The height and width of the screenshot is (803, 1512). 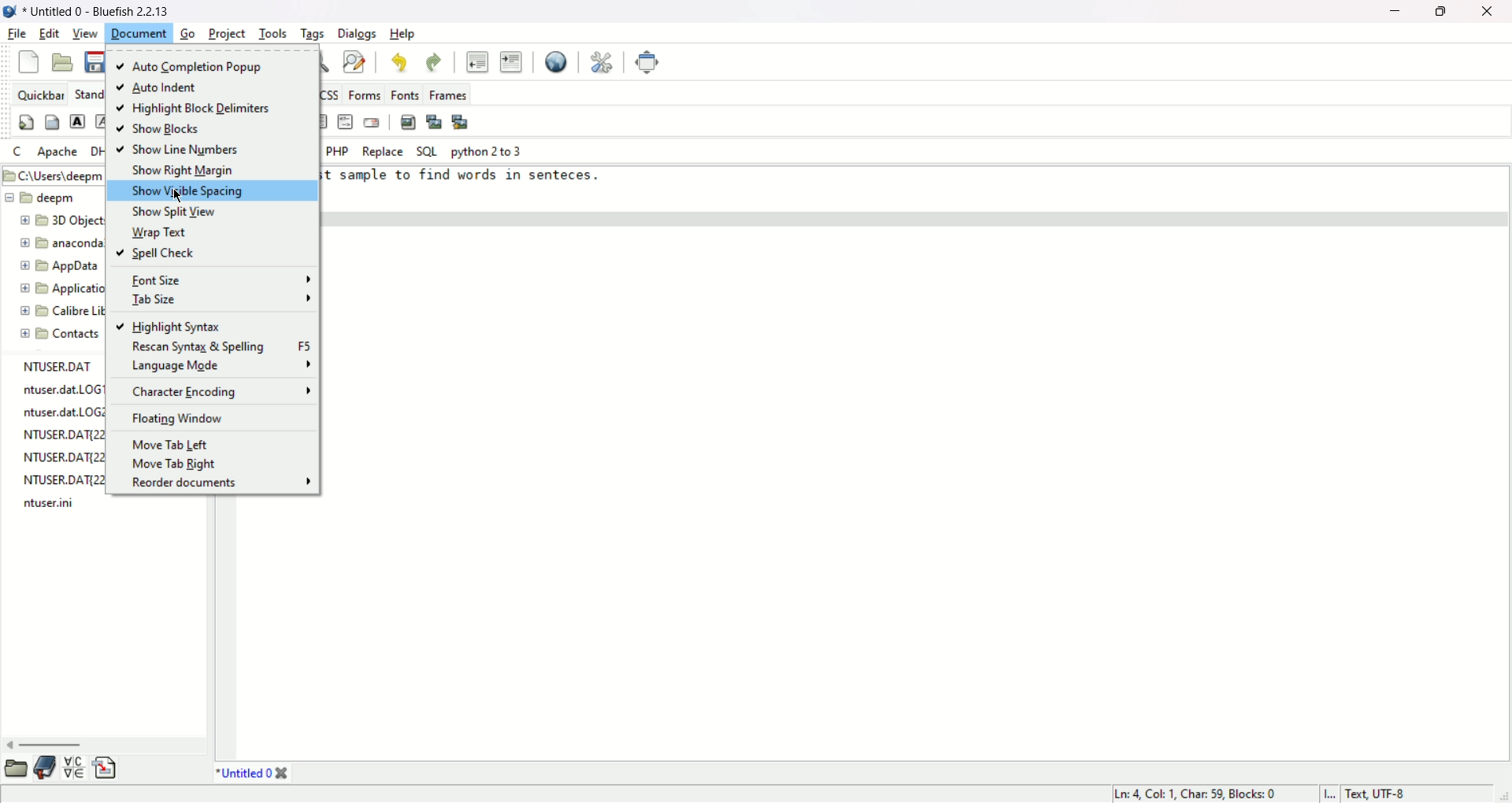 I want to click on Quickstart, so click(x=25, y=122).